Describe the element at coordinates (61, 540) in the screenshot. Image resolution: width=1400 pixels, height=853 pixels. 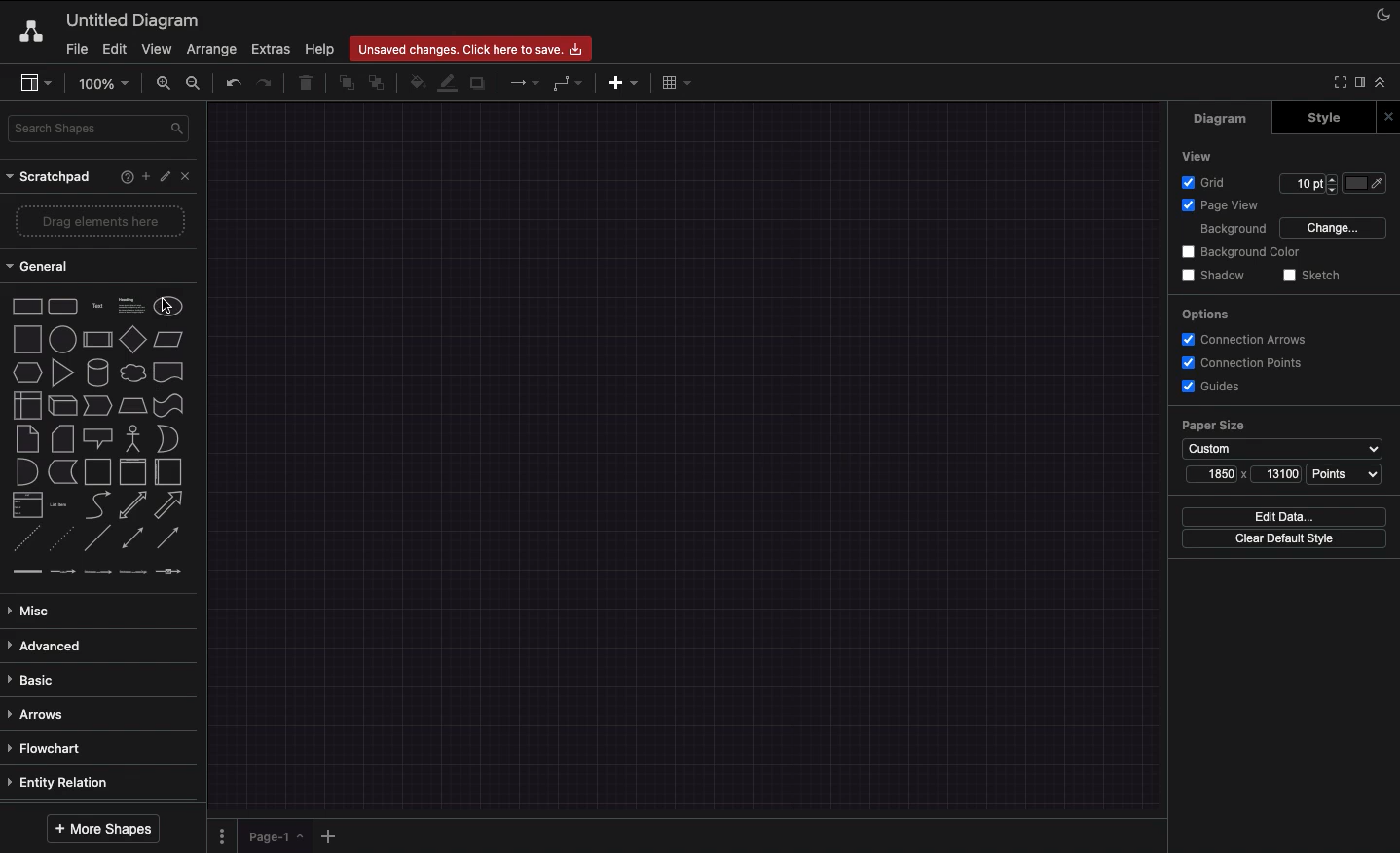
I see `Dotted line` at that location.